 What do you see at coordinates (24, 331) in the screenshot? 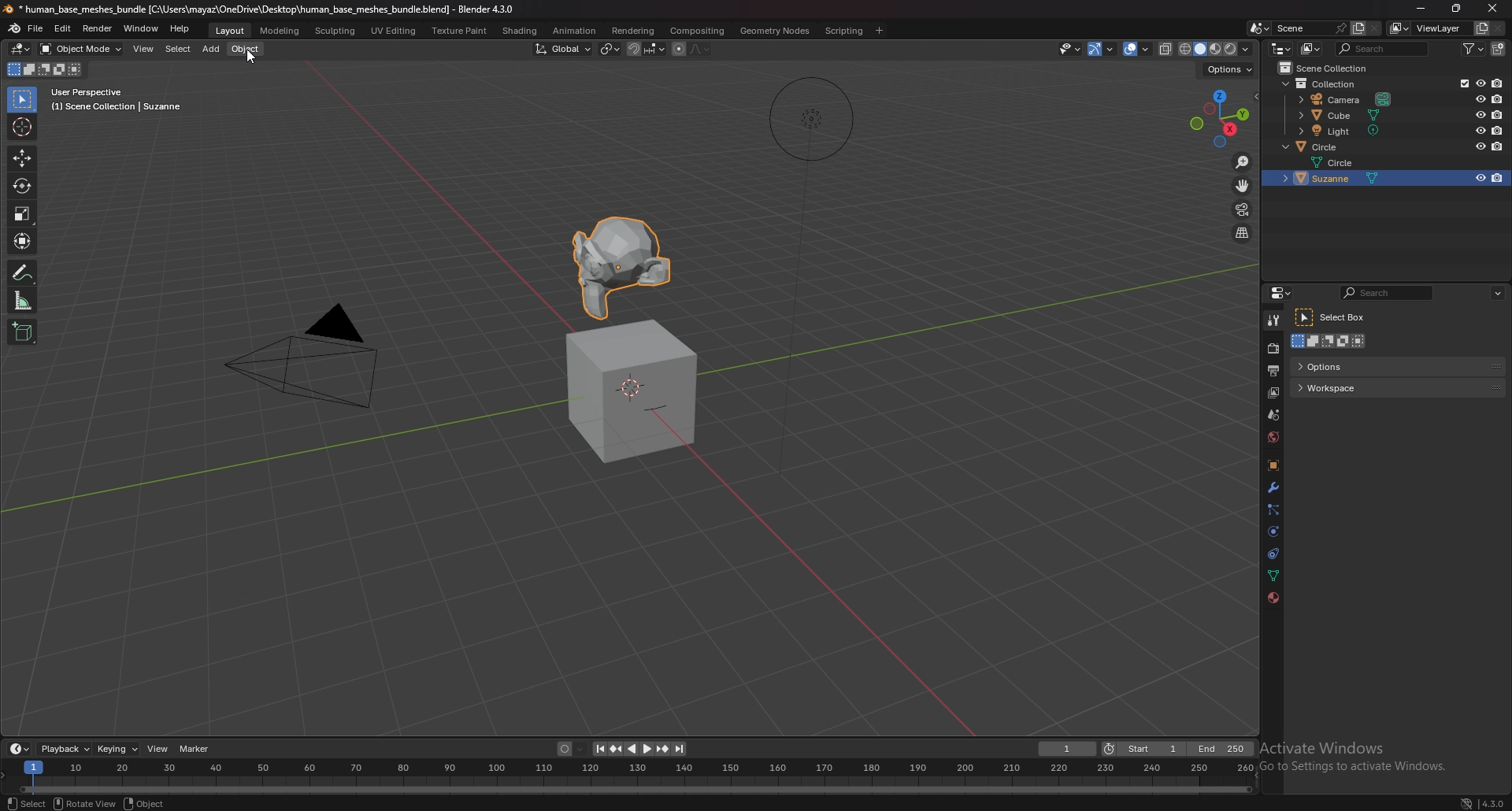
I see `add cube` at bounding box center [24, 331].